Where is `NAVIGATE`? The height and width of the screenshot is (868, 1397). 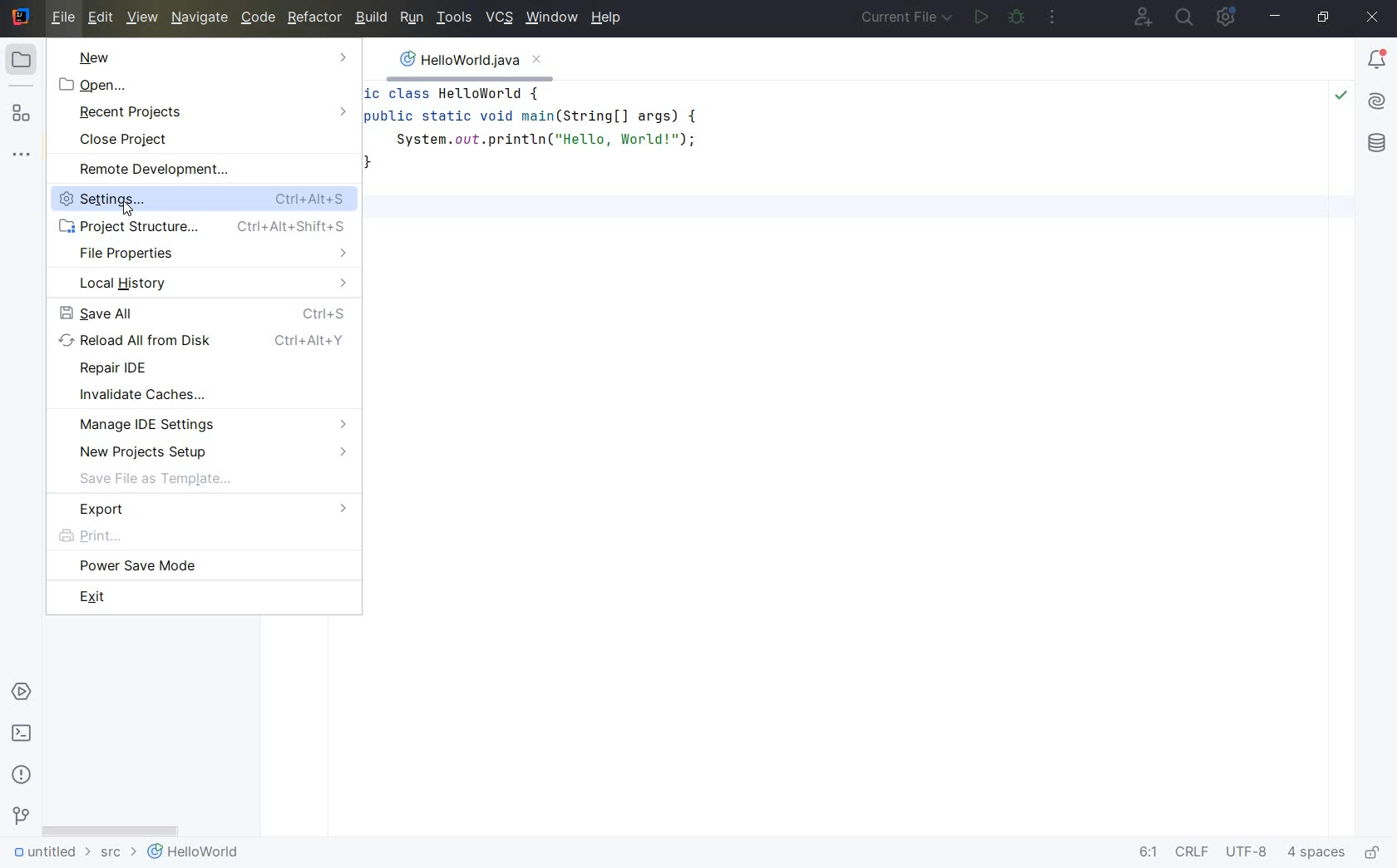 NAVIGATE is located at coordinates (198, 18).